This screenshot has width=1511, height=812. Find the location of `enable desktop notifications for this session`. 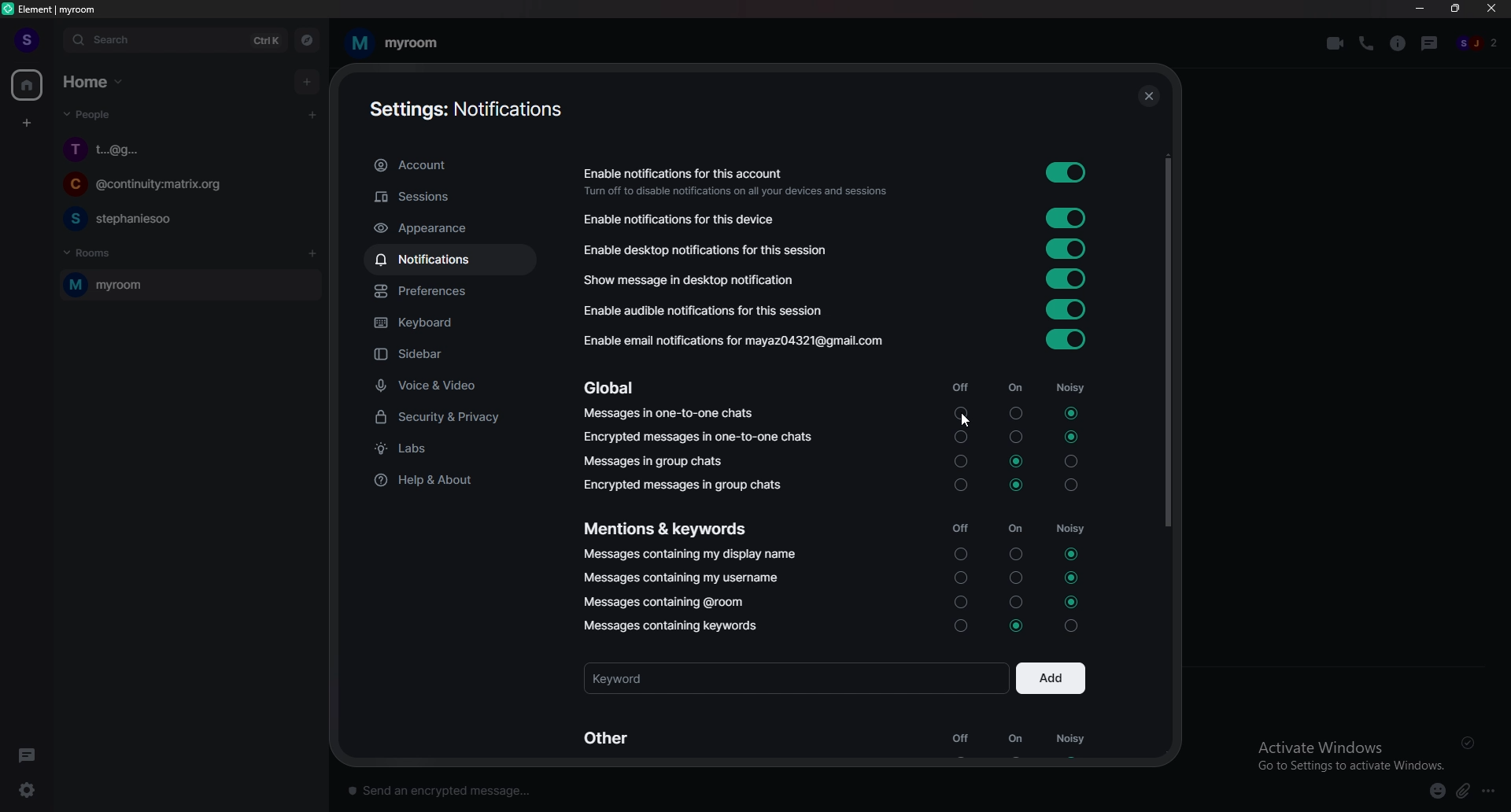

enable desktop notifications for this session is located at coordinates (713, 250).